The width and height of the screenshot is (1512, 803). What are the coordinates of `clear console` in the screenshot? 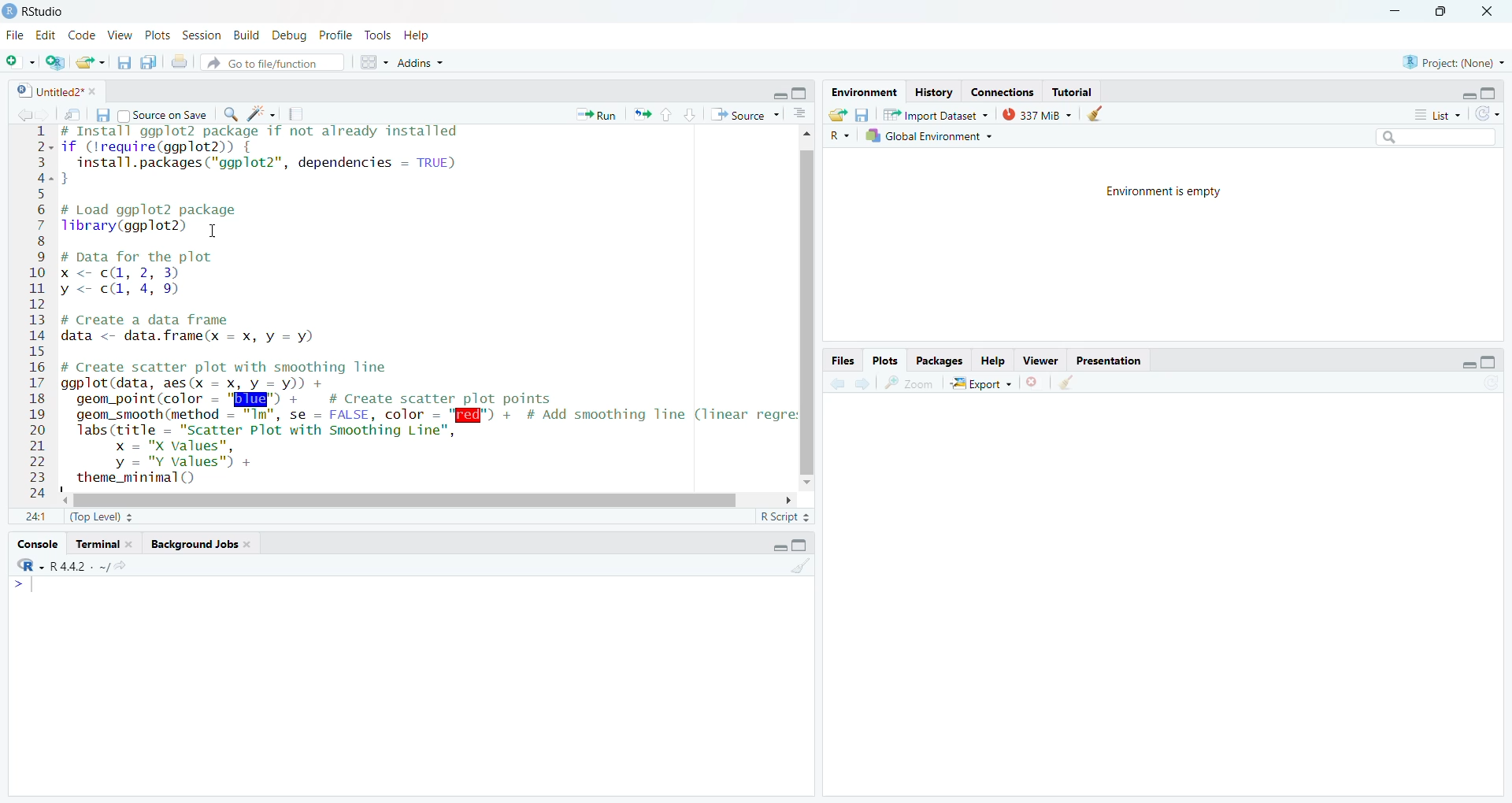 It's located at (799, 567).